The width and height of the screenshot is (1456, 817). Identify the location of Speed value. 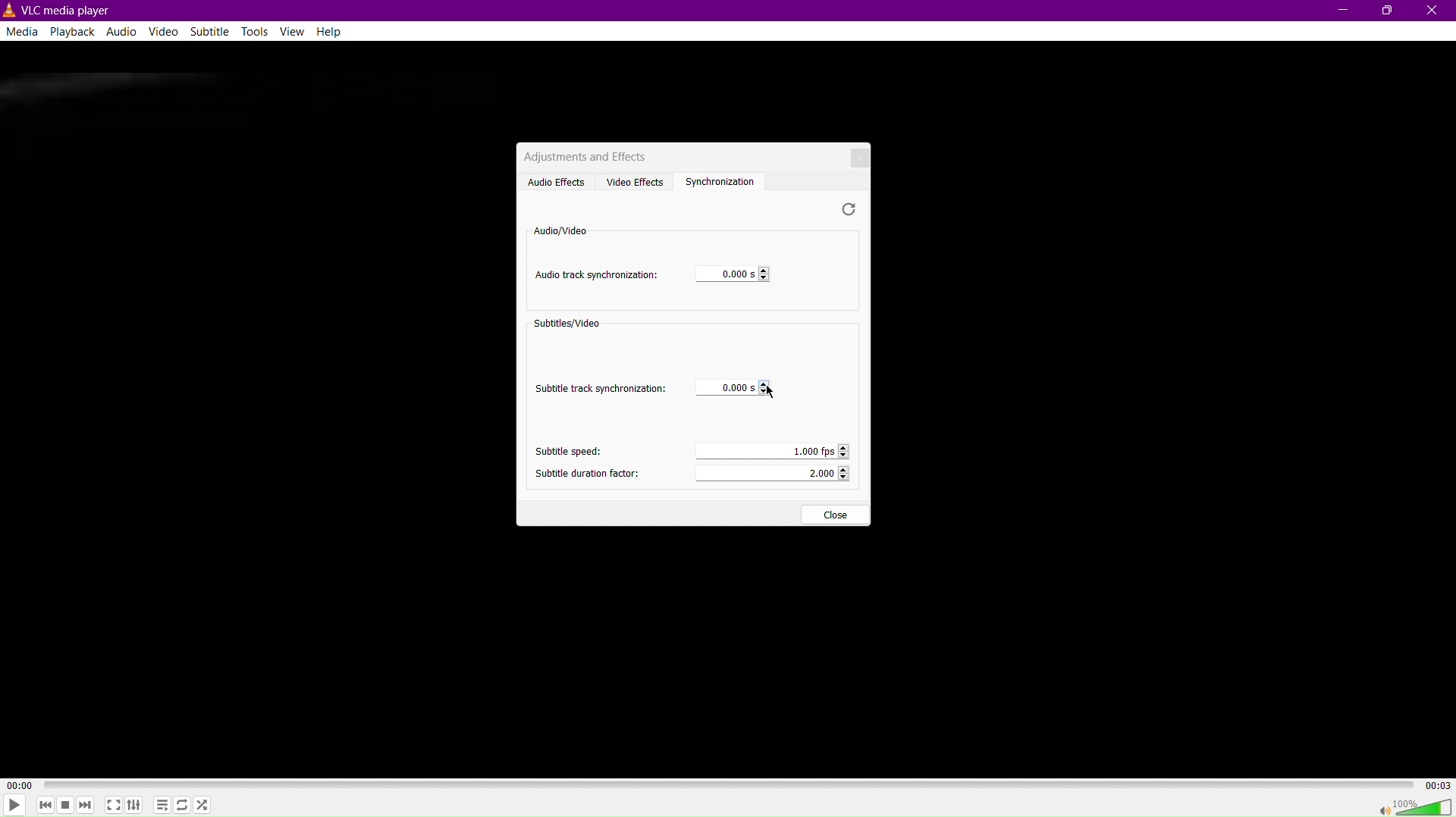
(770, 449).